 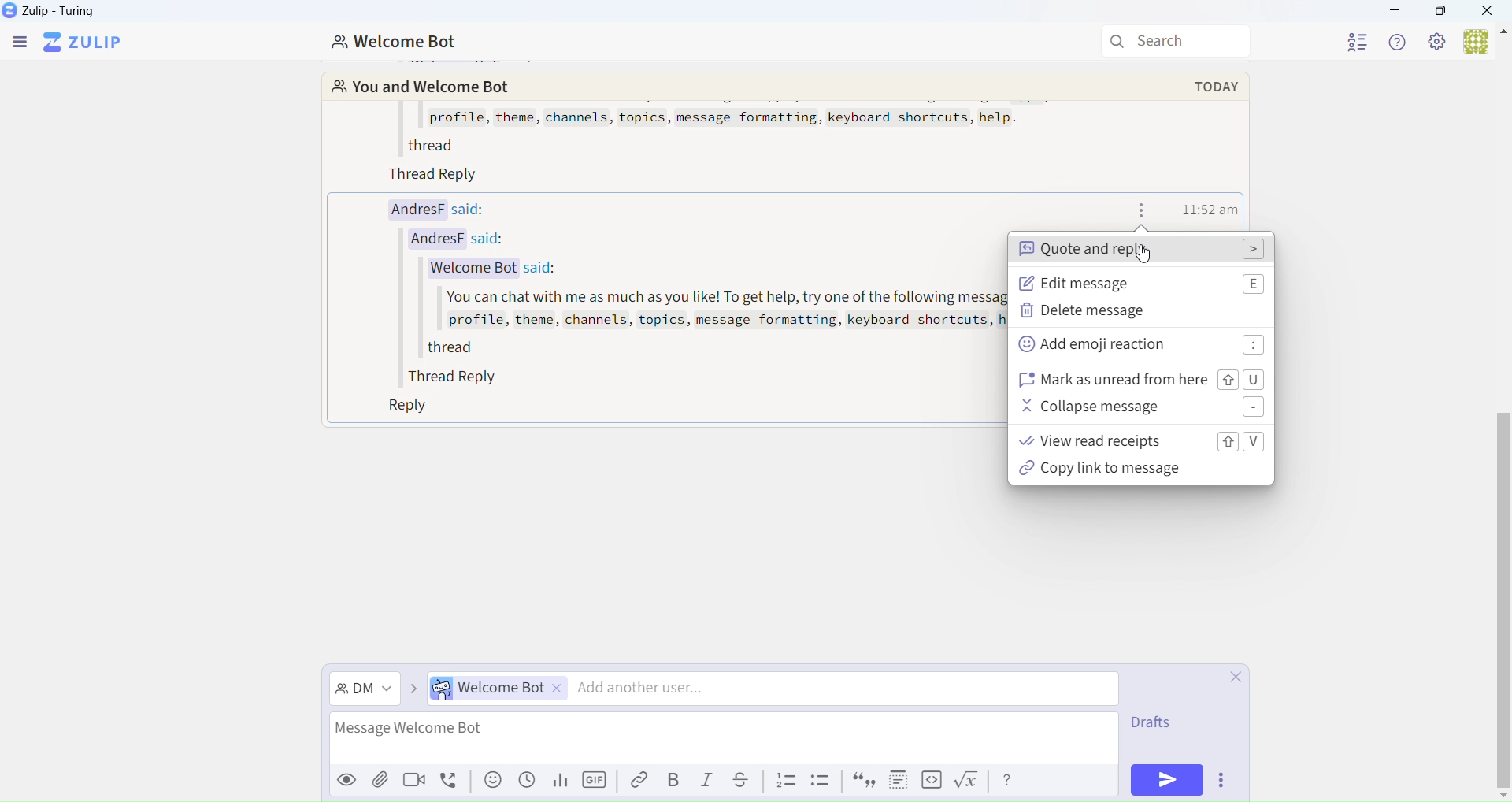 What do you see at coordinates (932, 782) in the screenshot?
I see `code` at bounding box center [932, 782].